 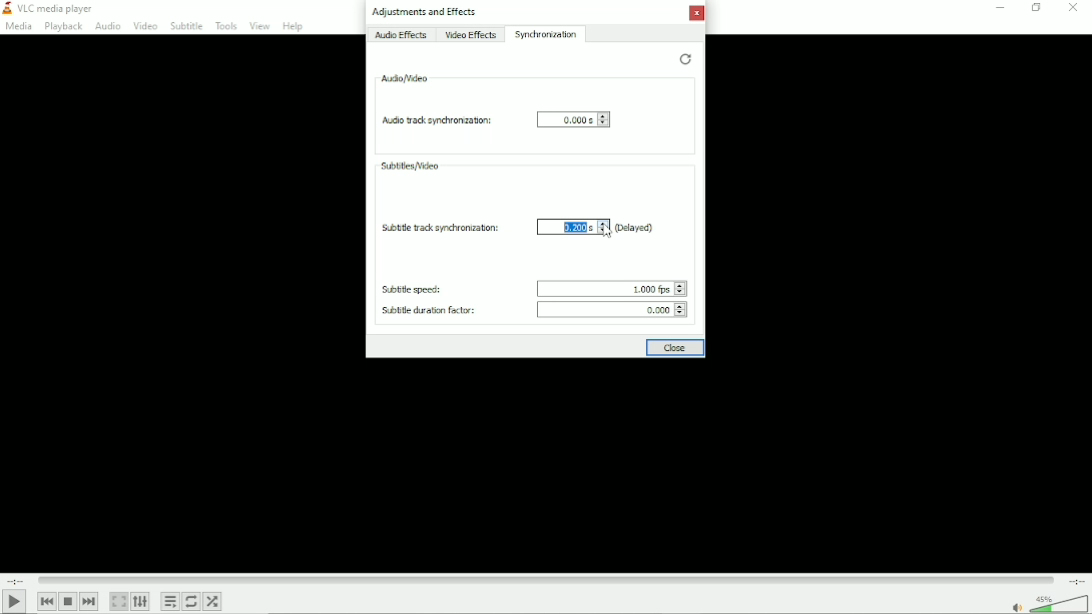 I want to click on help, so click(x=291, y=27).